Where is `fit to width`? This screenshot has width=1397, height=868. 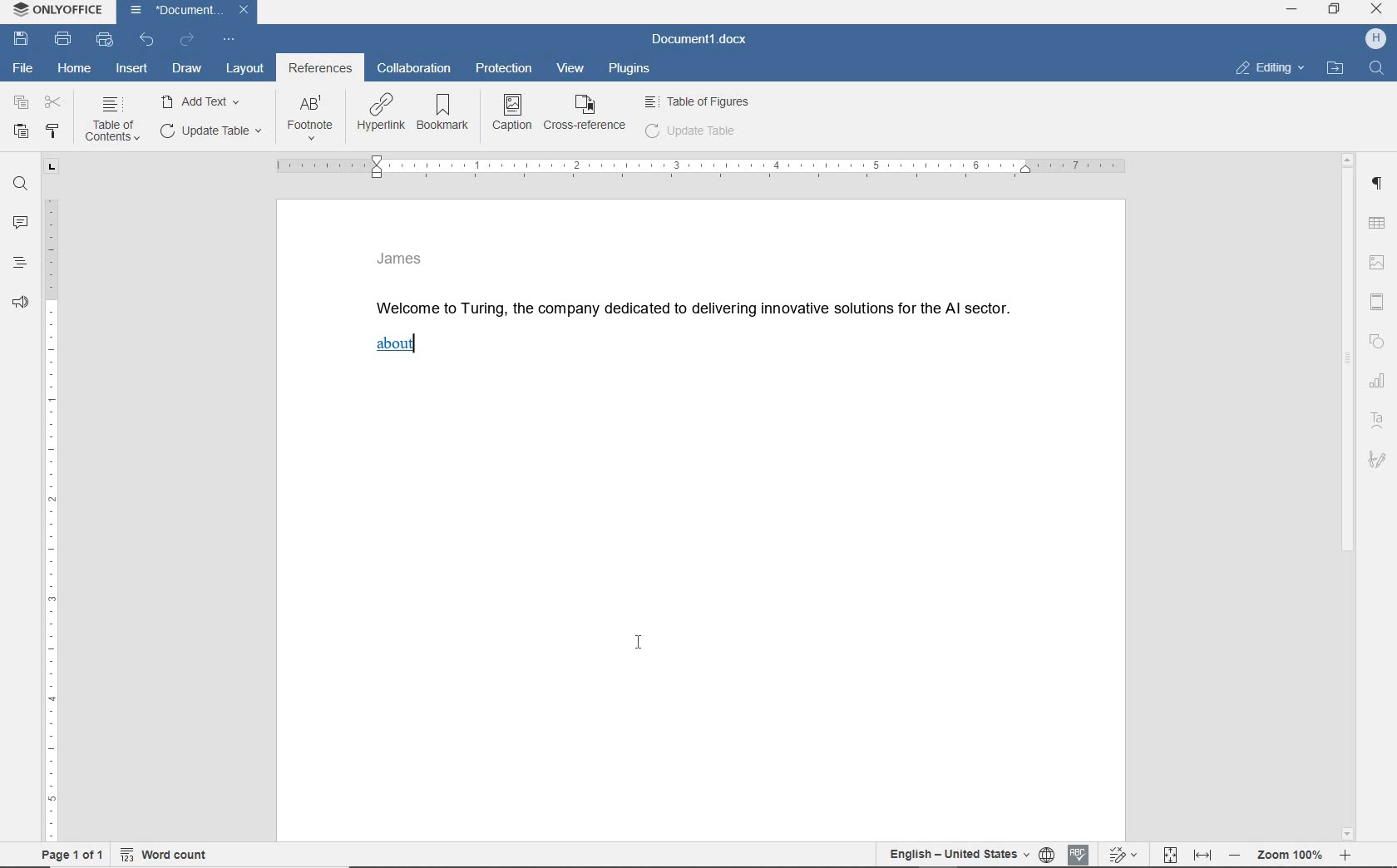
fit to width is located at coordinates (1202, 854).